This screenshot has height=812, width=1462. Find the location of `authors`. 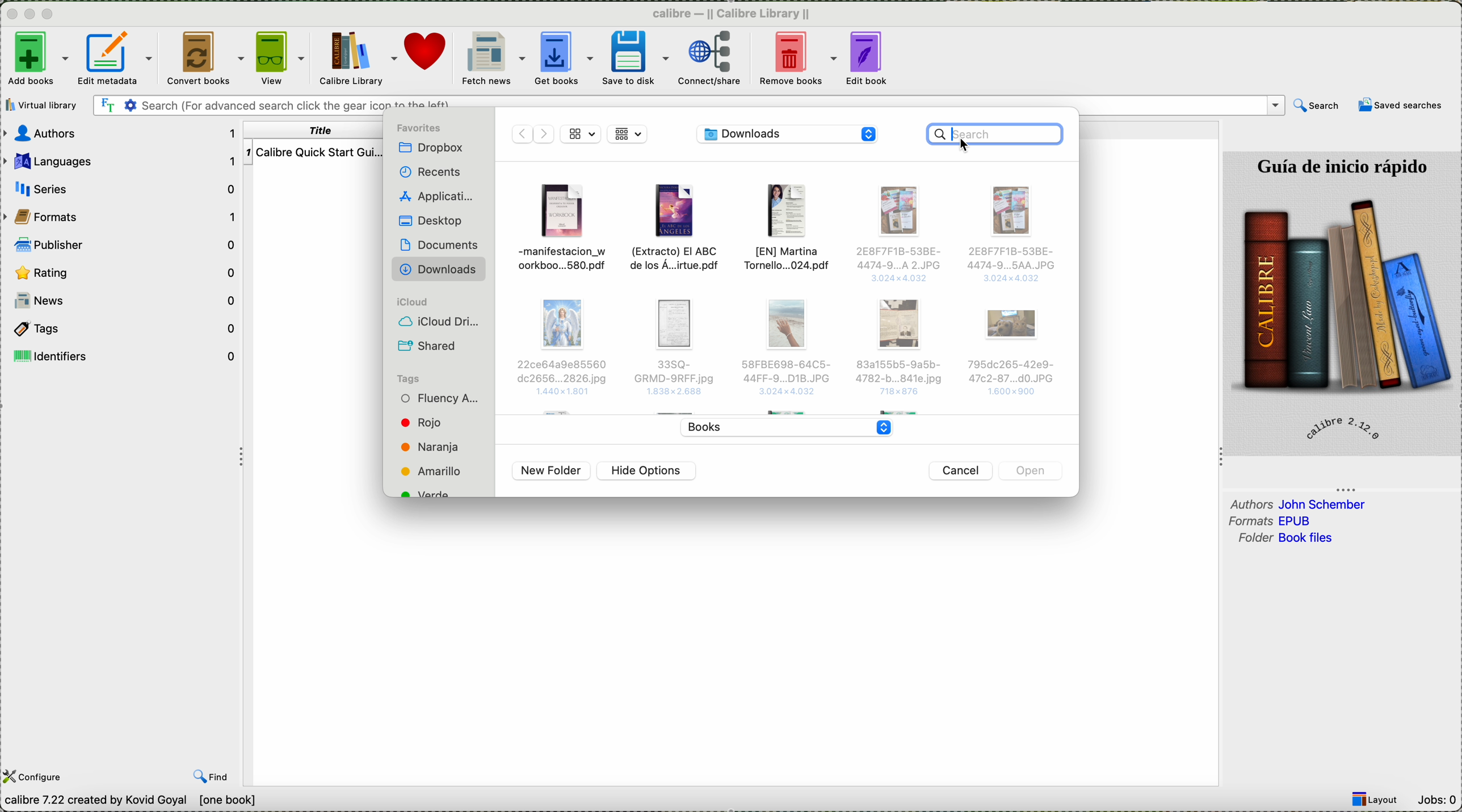

authors is located at coordinates (123, 134).